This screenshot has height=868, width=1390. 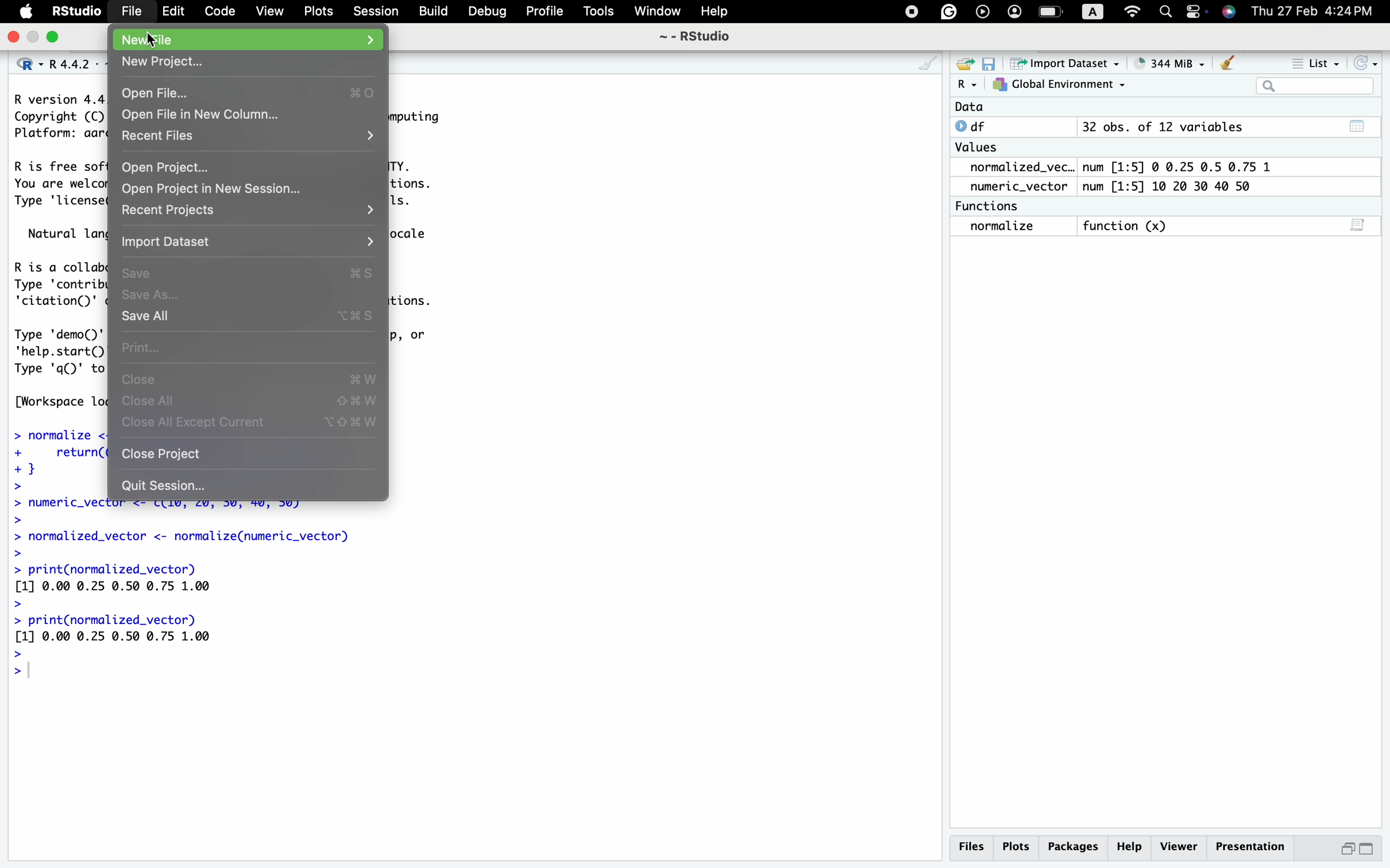 What do you see at coordinates (138, 382) in the screenshot?
I see `Close` at bounding box center [138, 382].